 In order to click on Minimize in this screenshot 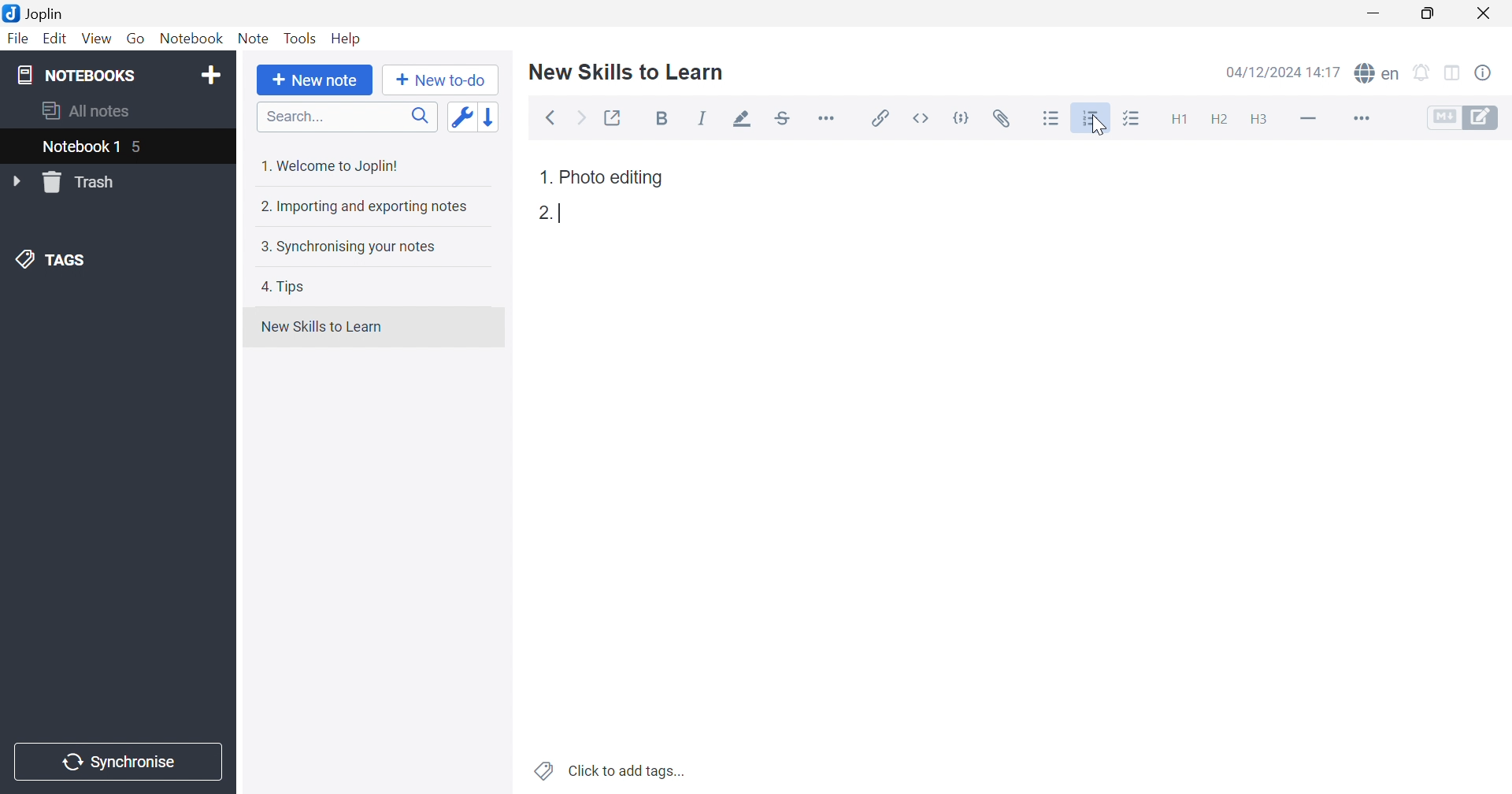, I will do `click(1378, 13)`.